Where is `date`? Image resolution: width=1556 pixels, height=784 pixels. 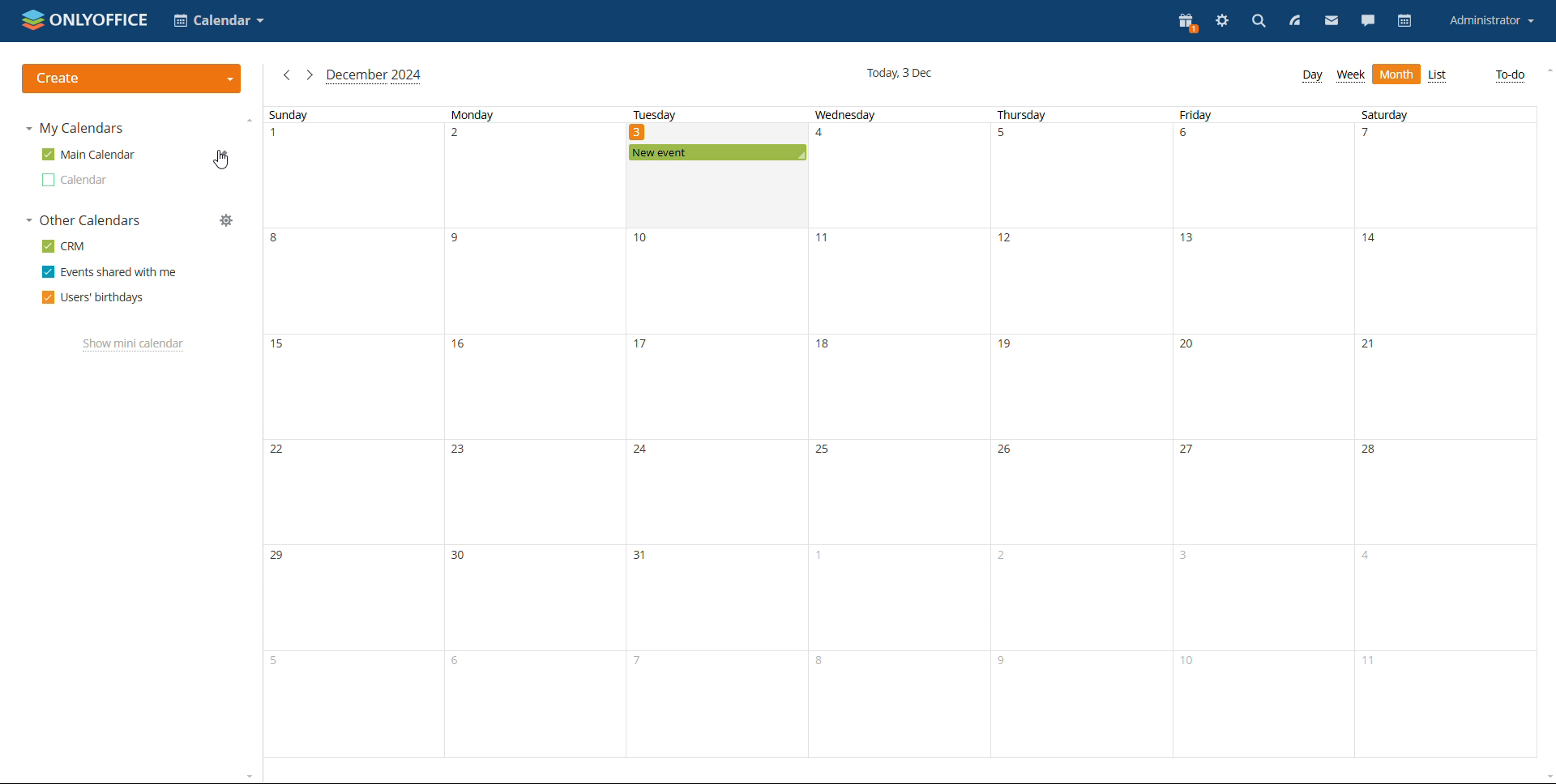
date is located at coordinates (536, 491).